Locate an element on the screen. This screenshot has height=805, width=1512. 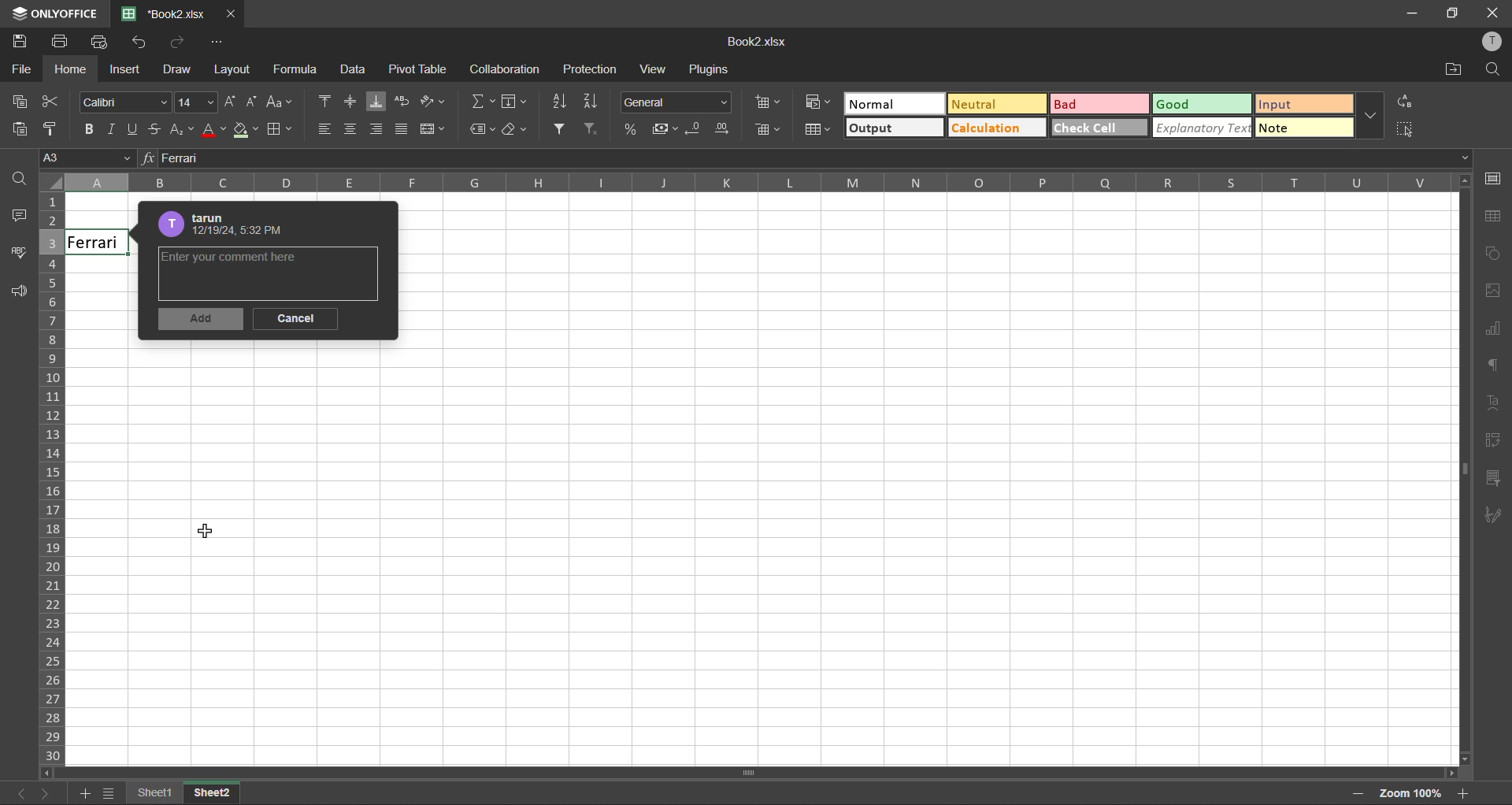
align middle is located at coordinates (348, 102).